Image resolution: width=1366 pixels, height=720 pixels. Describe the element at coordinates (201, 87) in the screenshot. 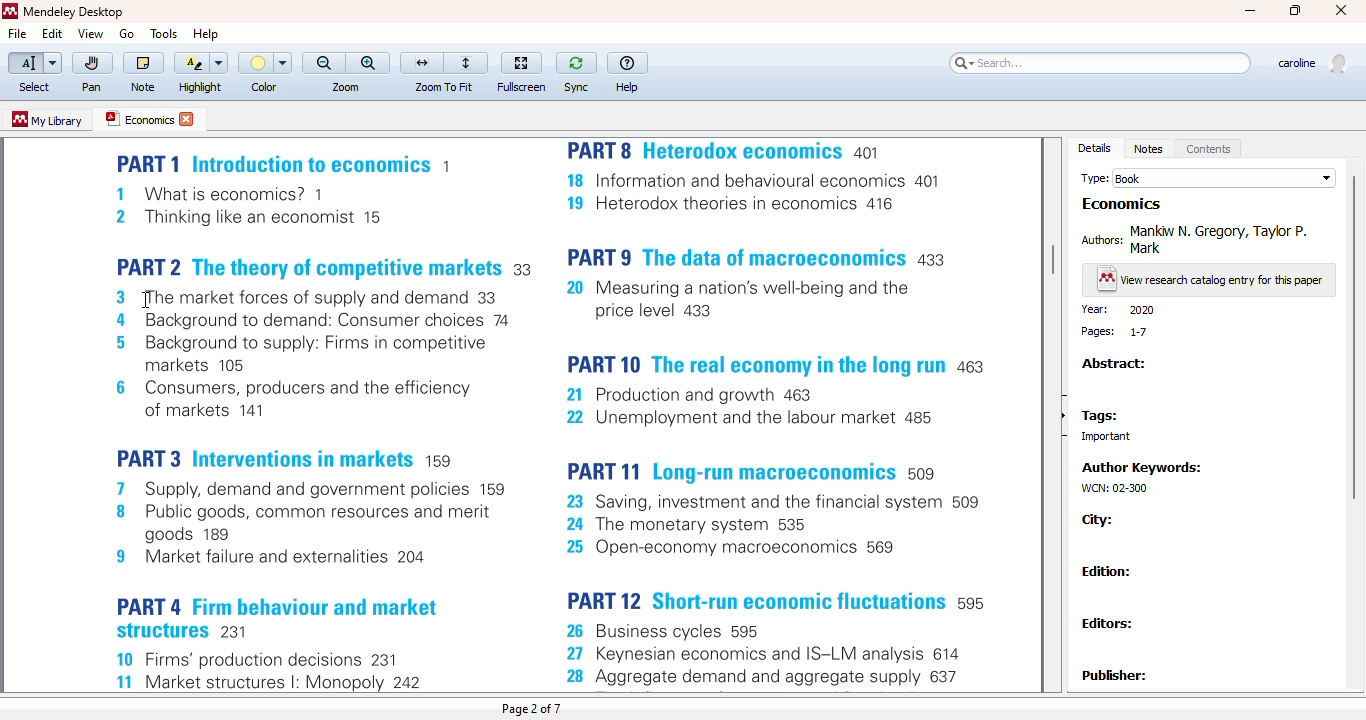

I see `highlight` at that location.